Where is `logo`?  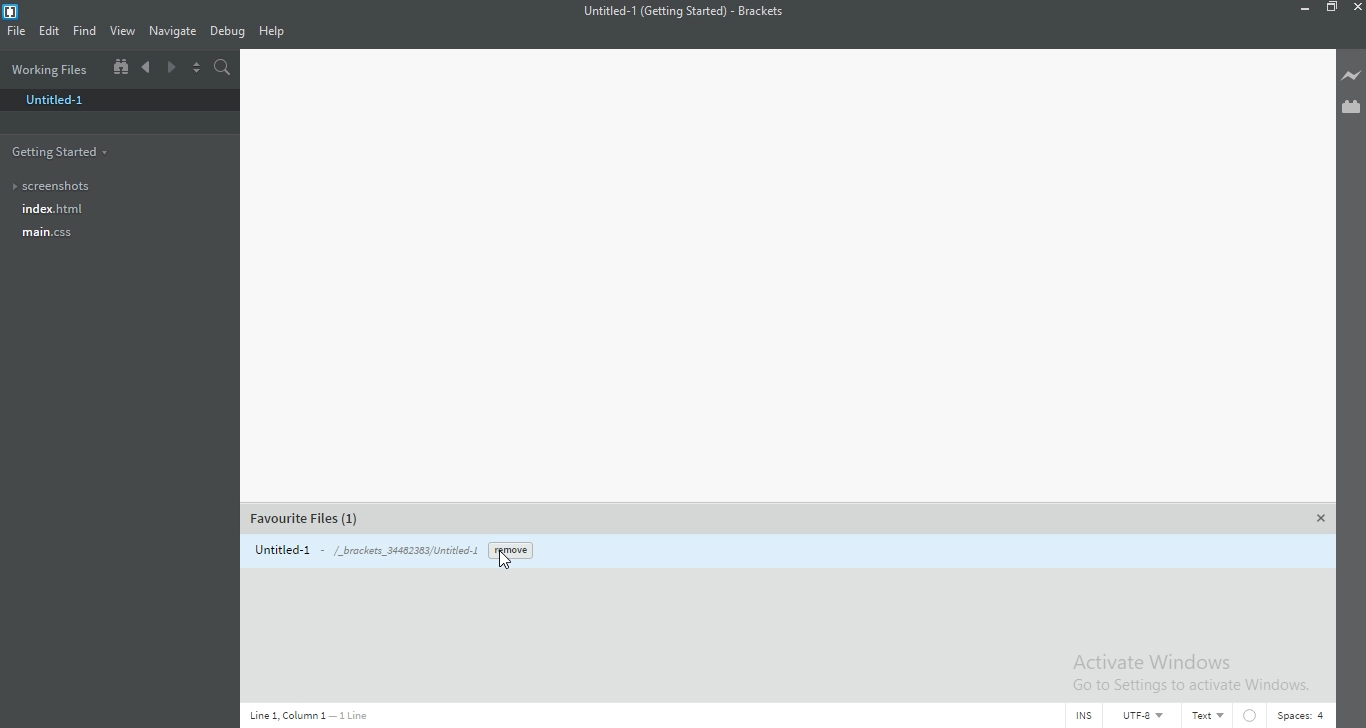 logo is located at coordinates (11, 11).